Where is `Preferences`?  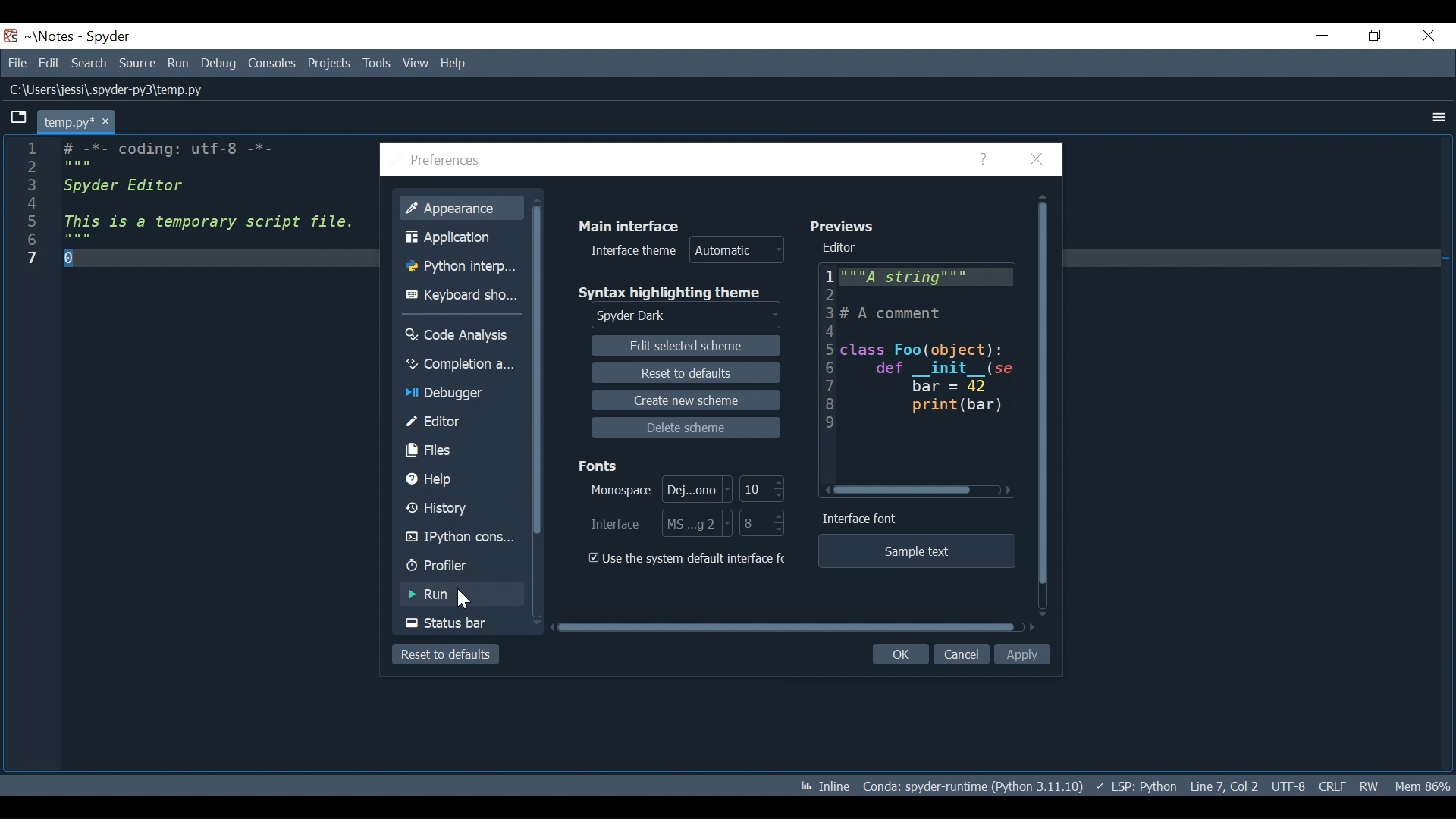 Preferences is located at coordinates (445, 162).